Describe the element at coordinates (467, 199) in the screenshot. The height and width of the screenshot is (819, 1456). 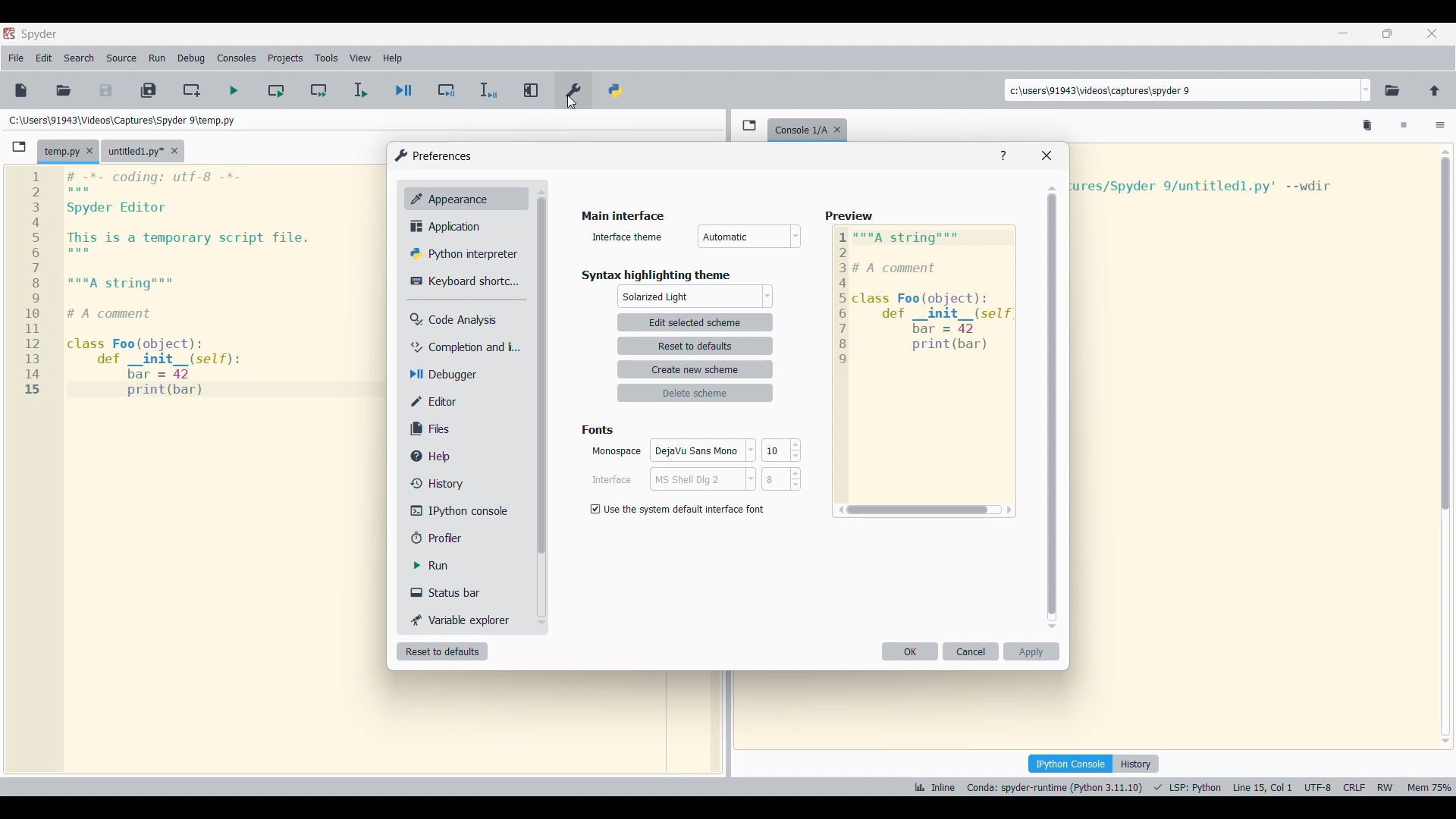
I see `Appearance already open as first in list` at that location.